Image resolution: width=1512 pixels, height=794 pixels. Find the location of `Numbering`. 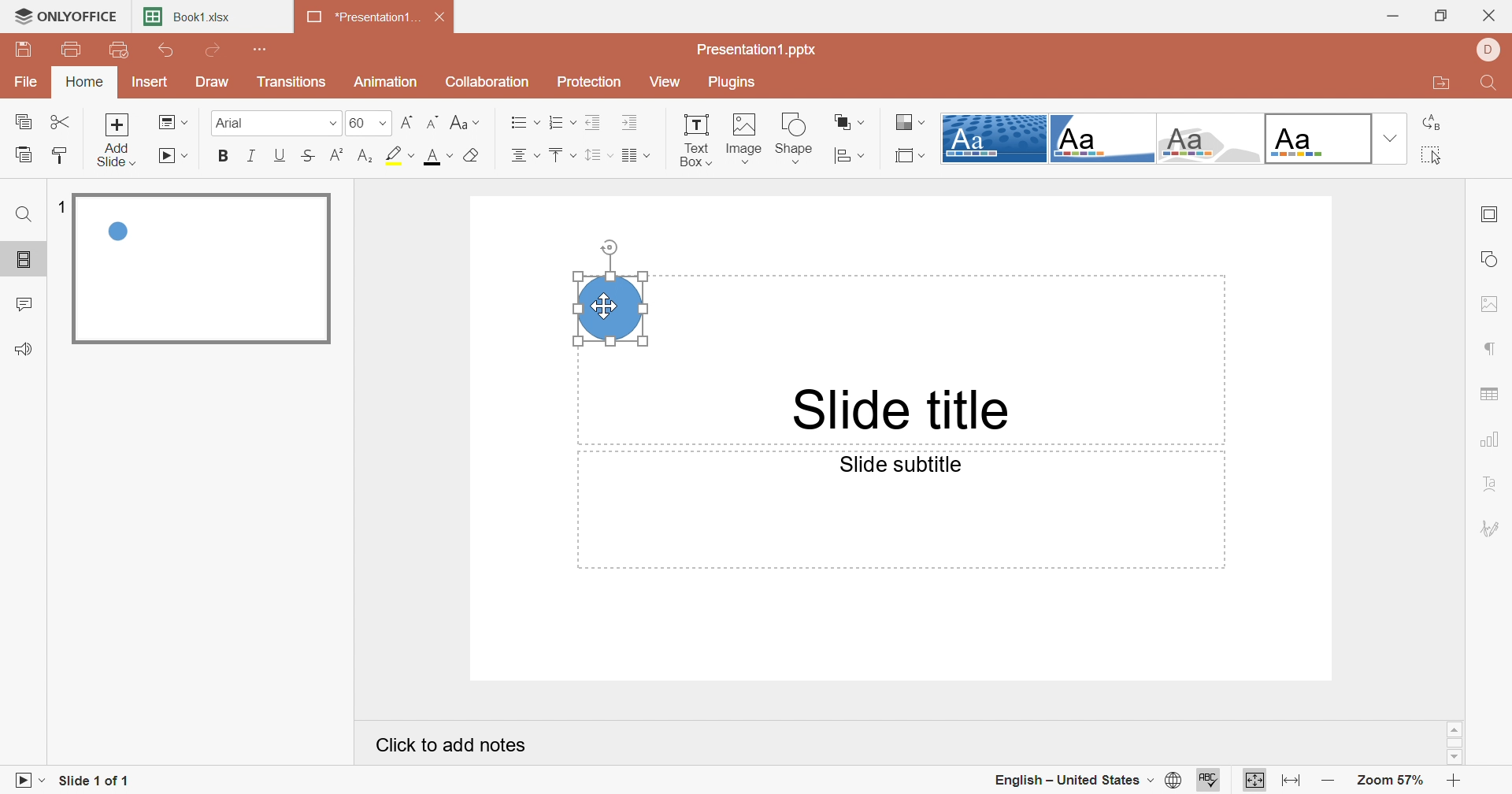

Numbering is located at coordinates (561, 121).